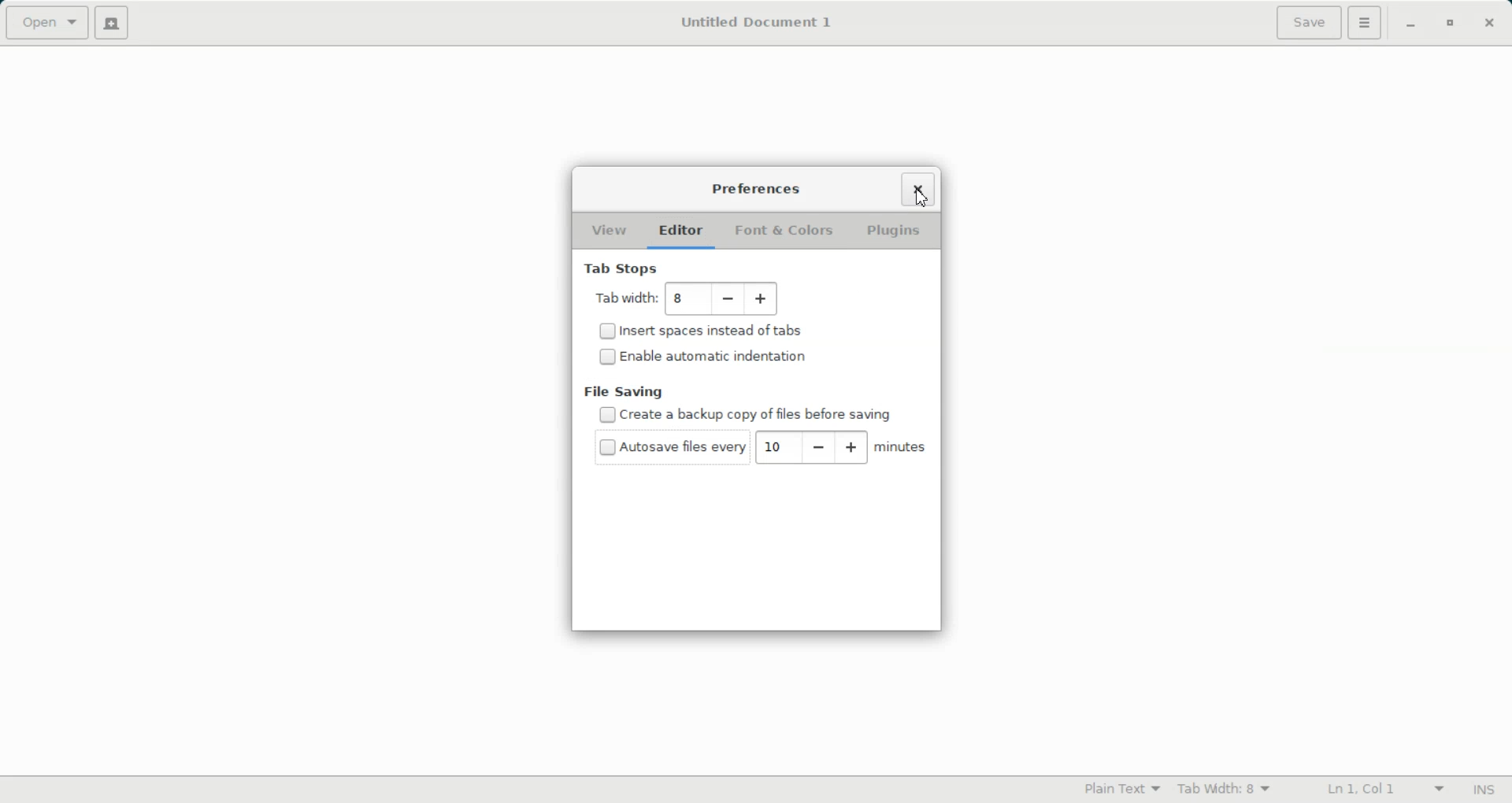  Describe the element at coordinates (730, 300) in the screenshot. I see `Decrease` at that location.